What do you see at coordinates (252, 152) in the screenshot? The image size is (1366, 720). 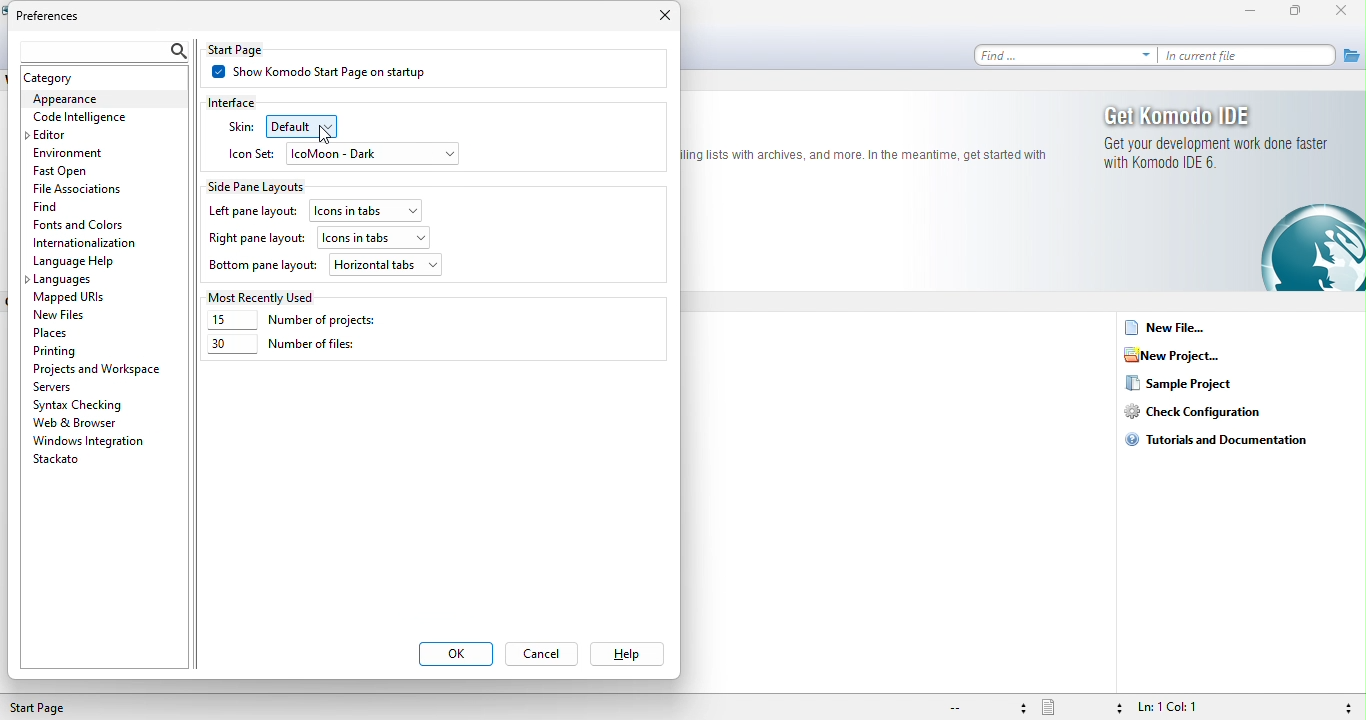 I see `icon set` at bounding box center [252, 152].